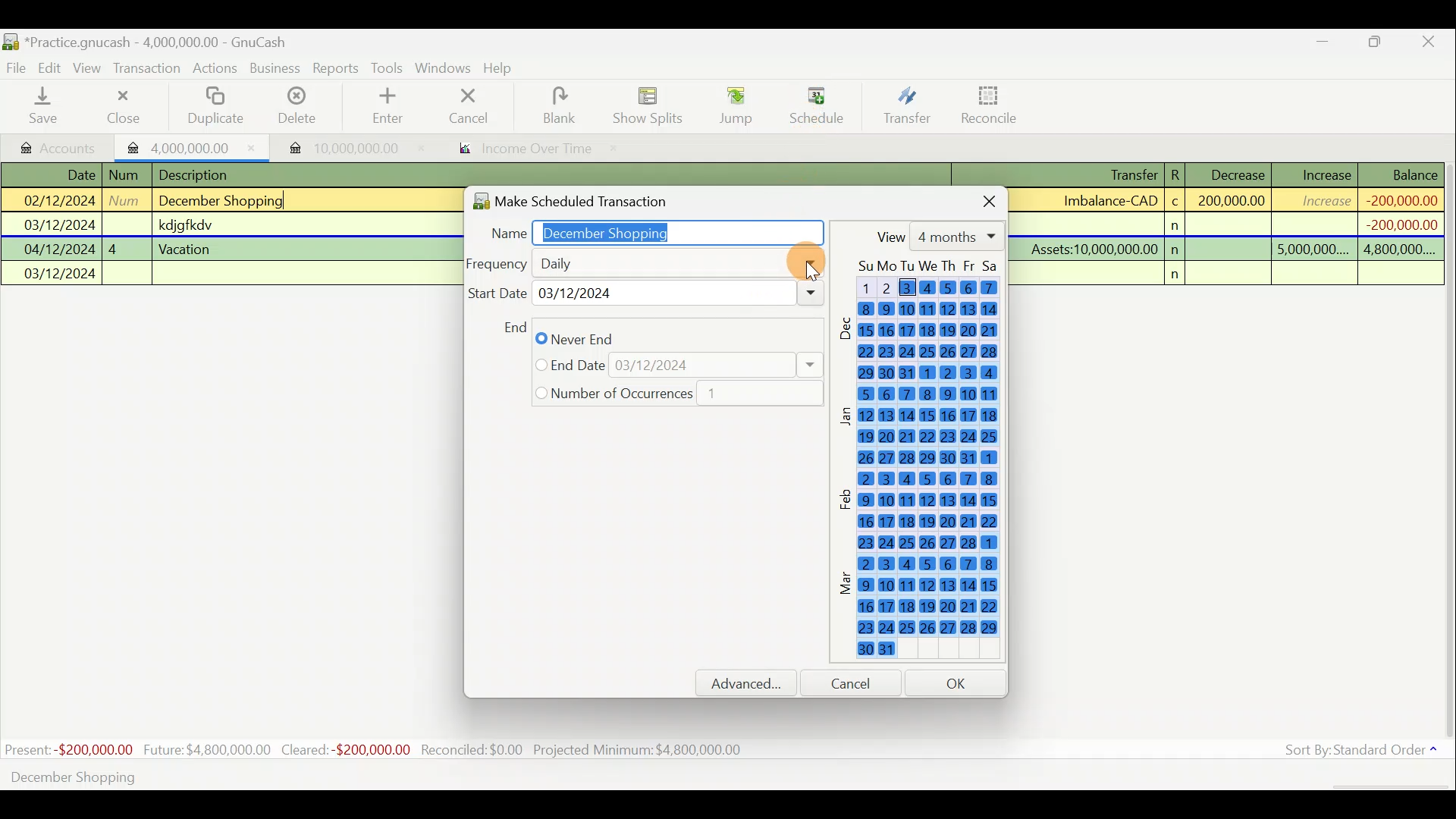 This screenshot has height=819, width=1456. Describe the element at coordinates (215, 71) in the screenshot. I see `Actions` at that location.